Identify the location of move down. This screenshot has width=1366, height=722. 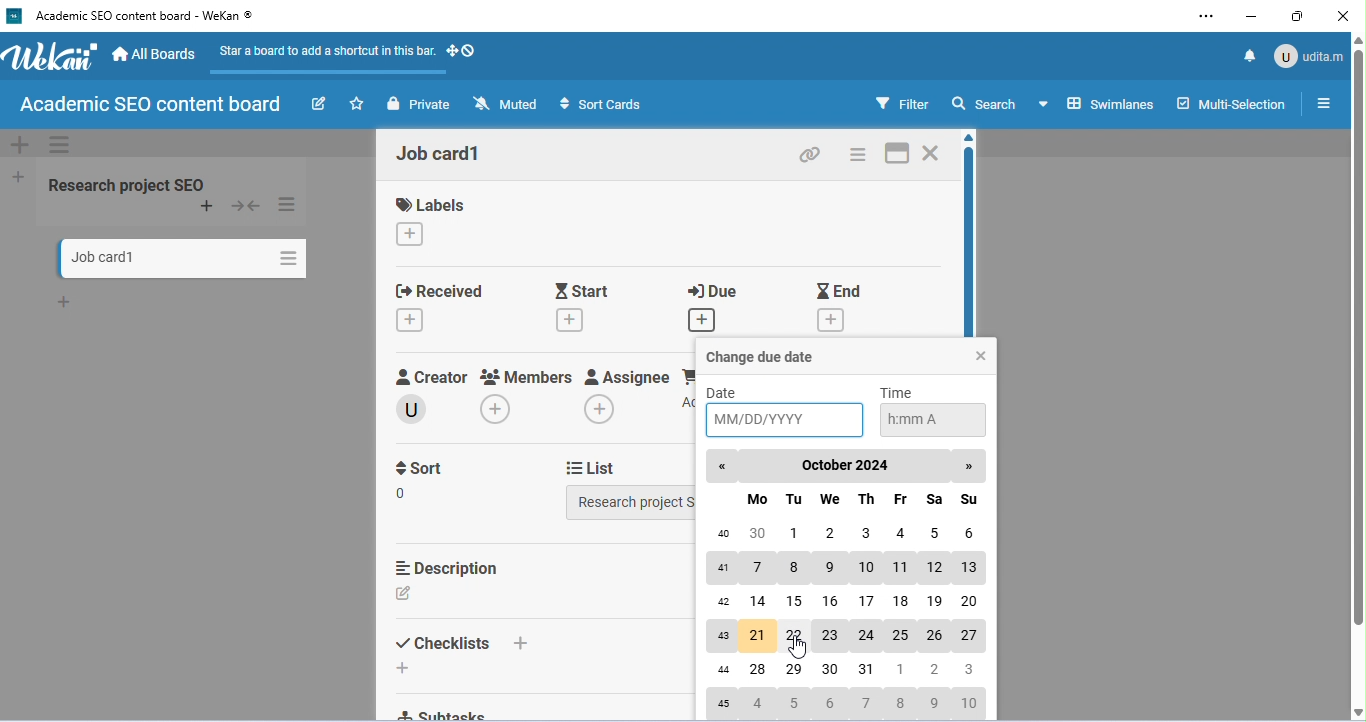
(1357, 713).